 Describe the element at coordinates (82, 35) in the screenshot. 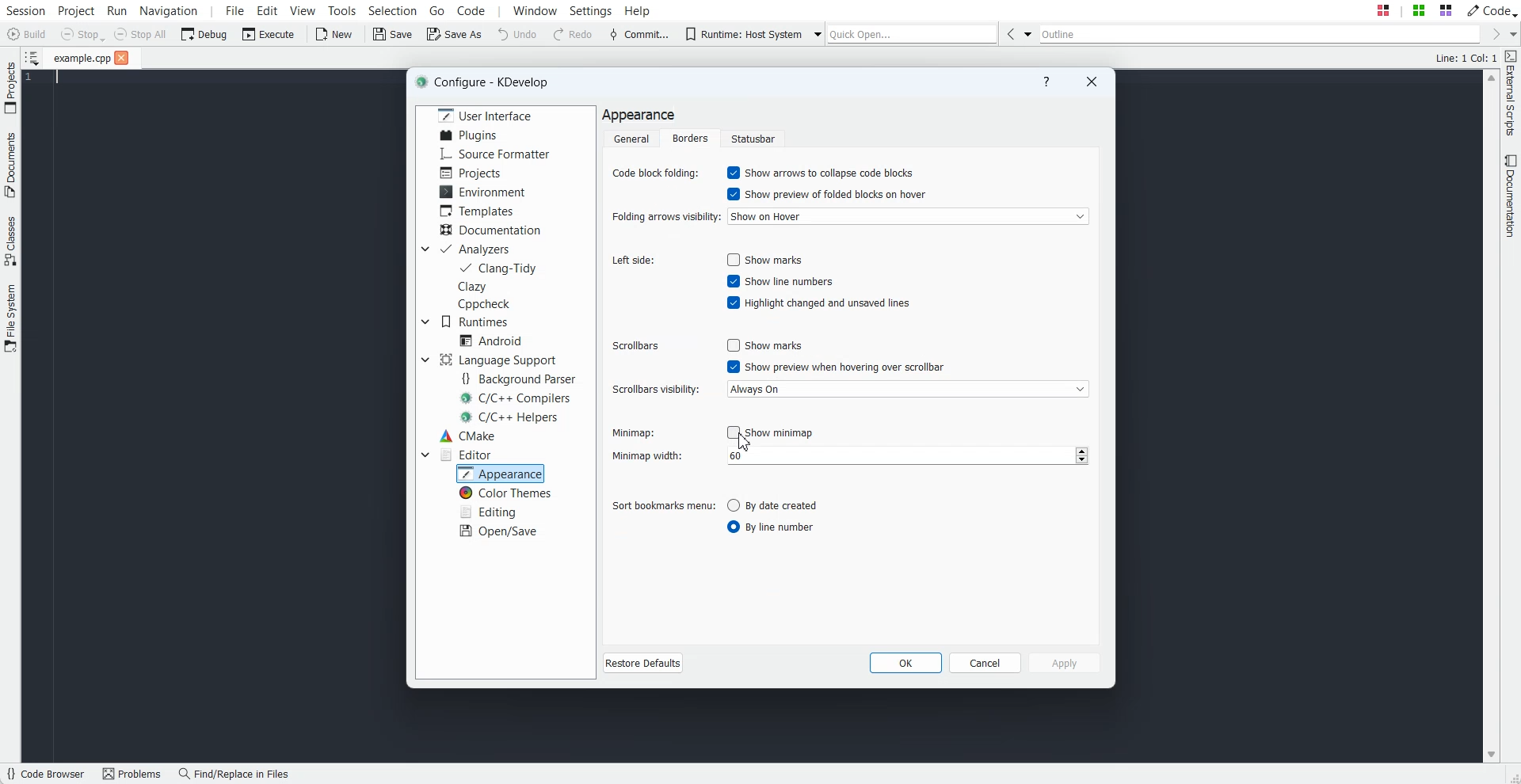

I see `Stop` at that location.